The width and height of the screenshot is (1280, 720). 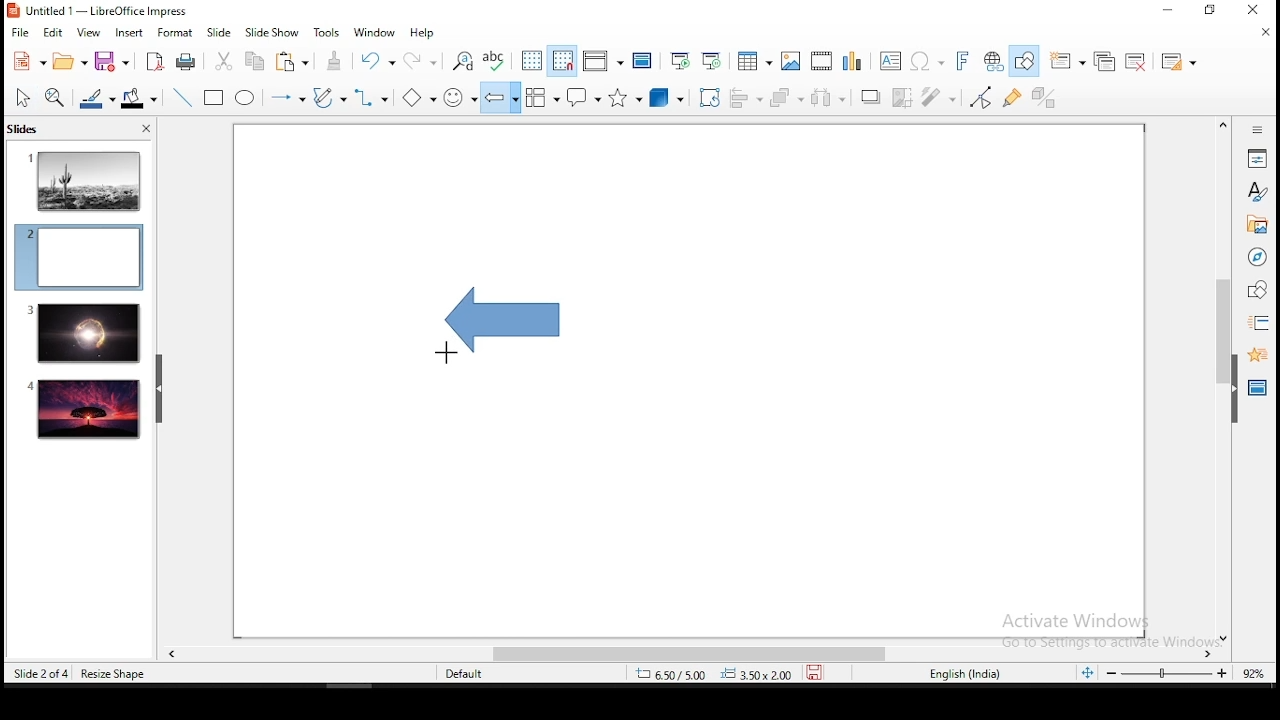 What do you see at coordinates (994, 62) in the screenshot?
I see `hyperlink` at bounding box center [994, 62].